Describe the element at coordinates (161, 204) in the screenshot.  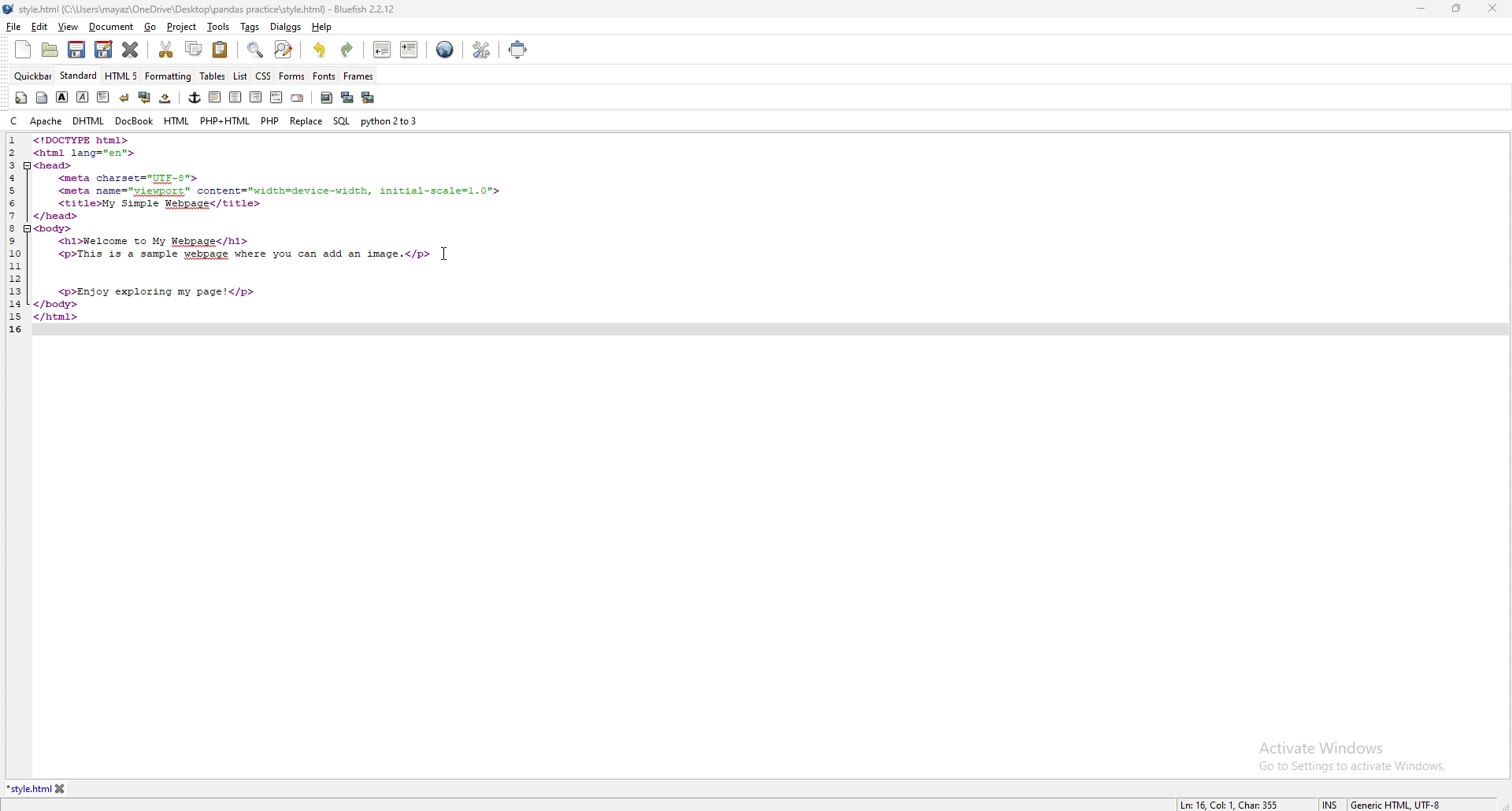
I see `<title>My Simple Webpage</title>` at that location.